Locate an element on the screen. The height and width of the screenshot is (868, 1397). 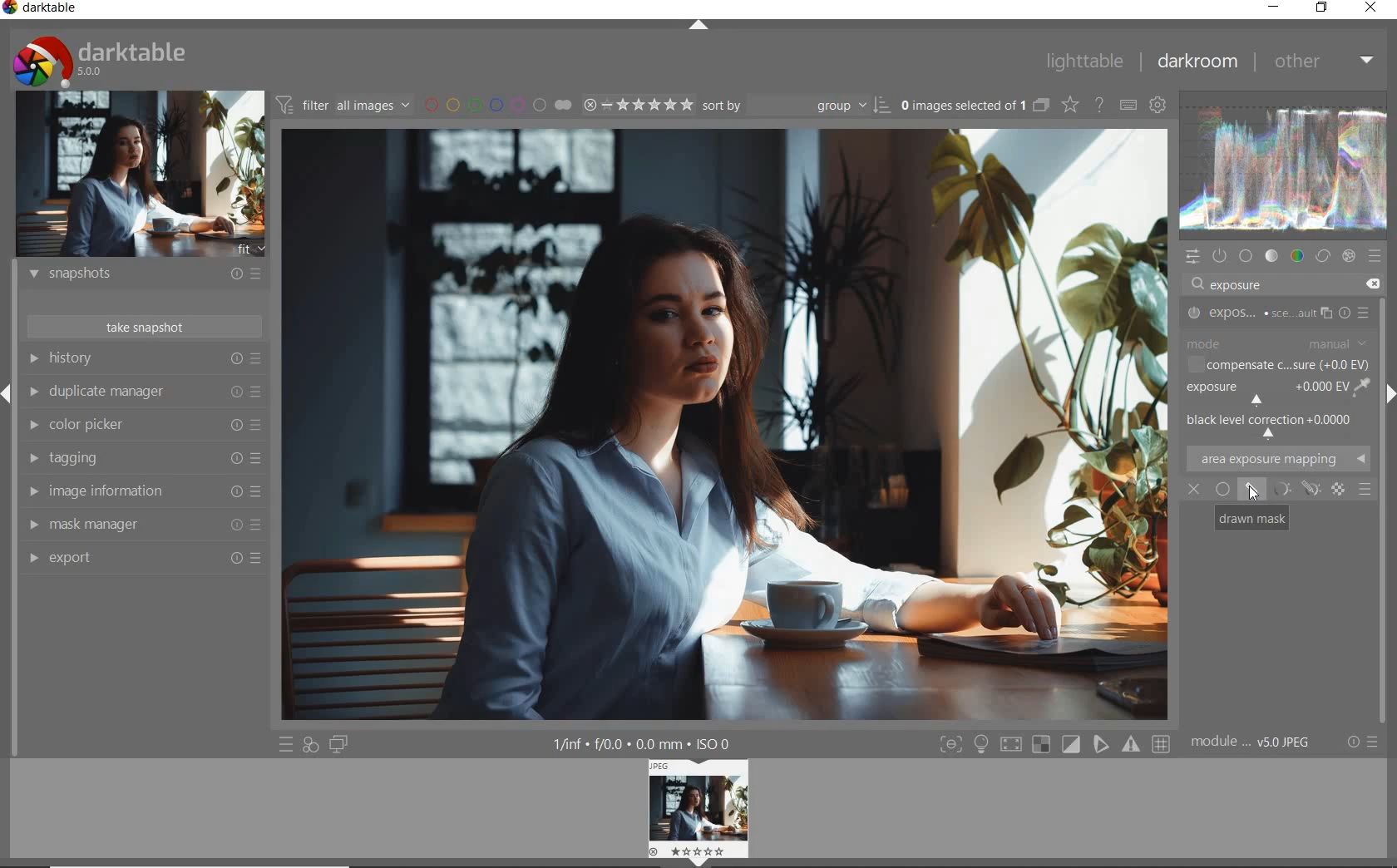
BLACK LEVEL CORRECTION is located at coordinates (1273, 422).